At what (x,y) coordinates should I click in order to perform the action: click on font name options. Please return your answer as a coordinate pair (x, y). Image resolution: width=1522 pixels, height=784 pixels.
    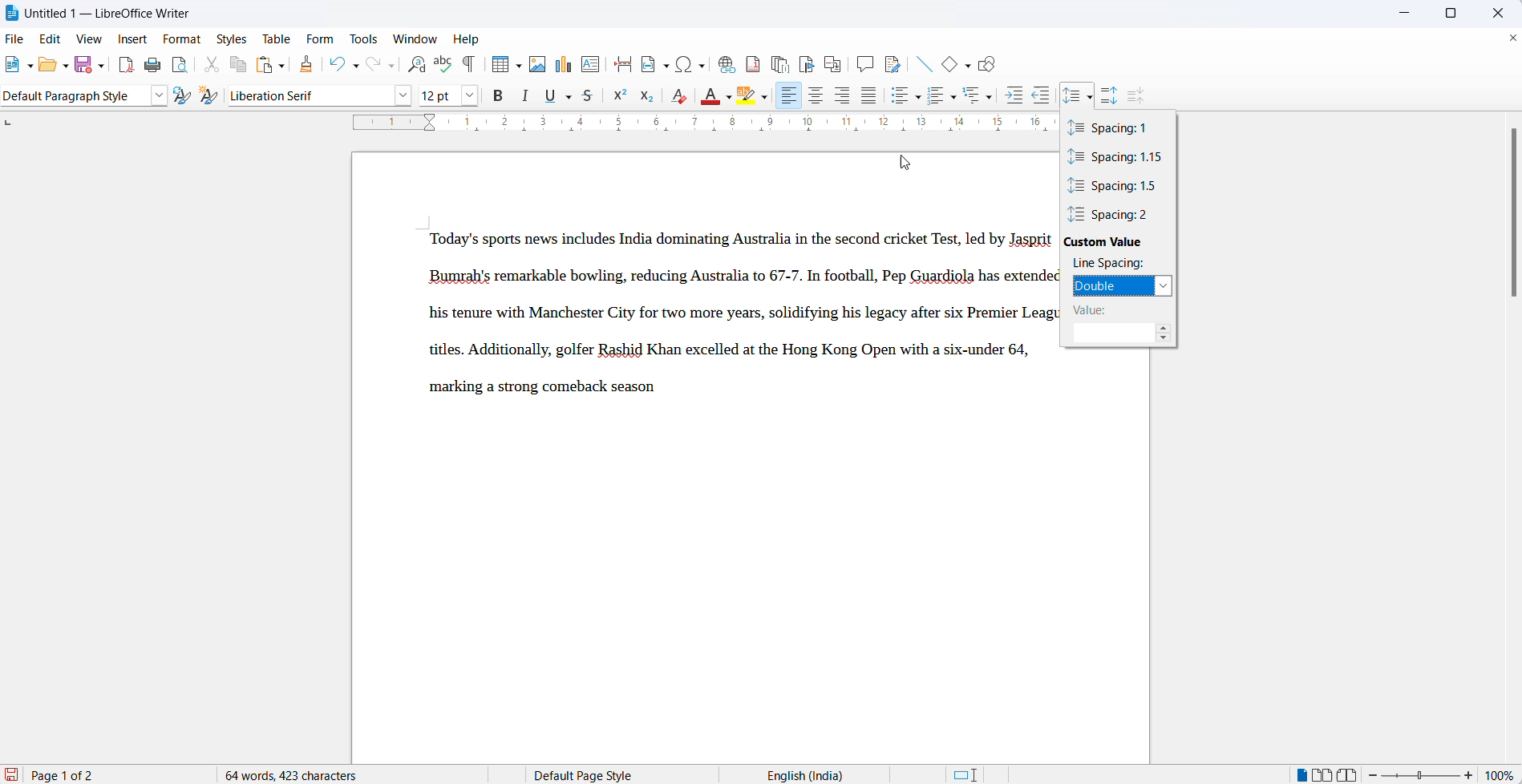
    Looking at the image, I should click on (474, 97).